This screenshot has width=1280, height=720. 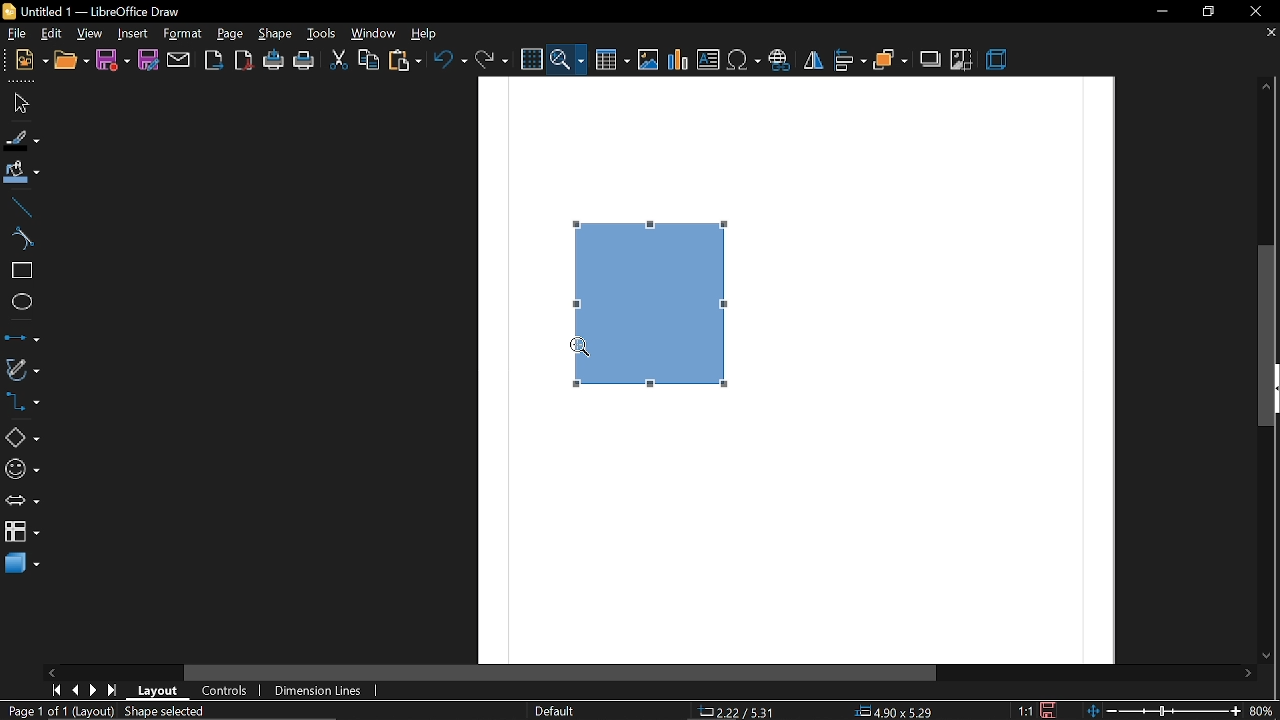 I want to click on shape selected, so click(x=168, y=711).